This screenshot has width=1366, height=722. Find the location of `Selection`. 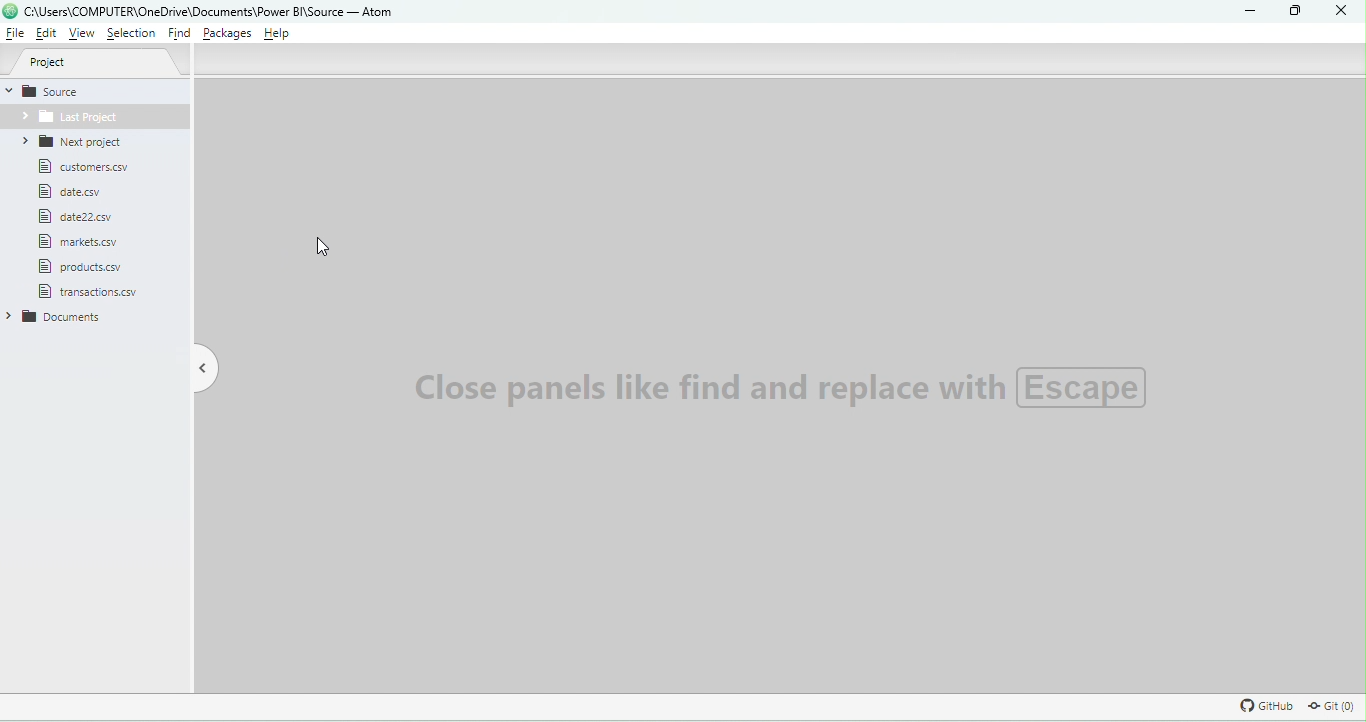

Selection is located at coordinates (131, 33).